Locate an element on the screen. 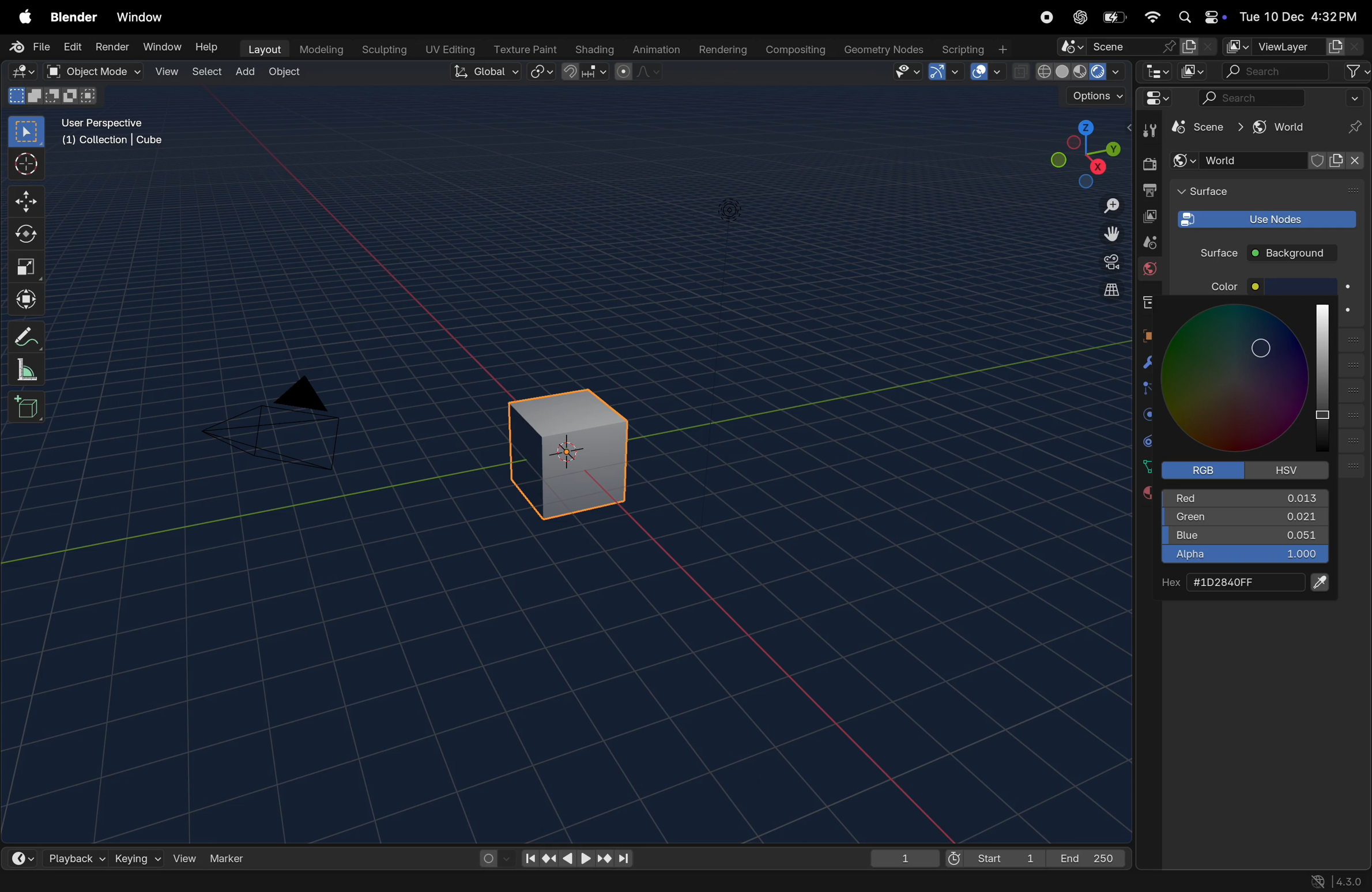  - Use Nodes is located at coordinates (1265, 218).